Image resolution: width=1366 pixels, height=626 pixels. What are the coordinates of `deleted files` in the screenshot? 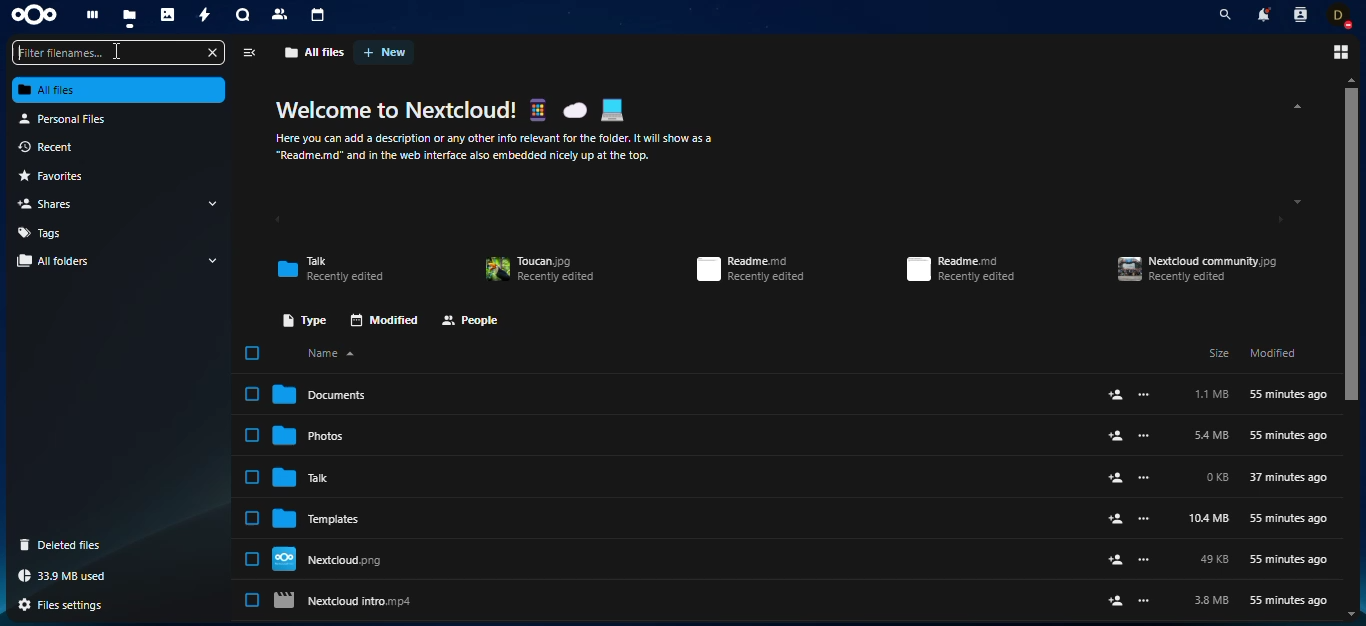 It's located at (66, 545).